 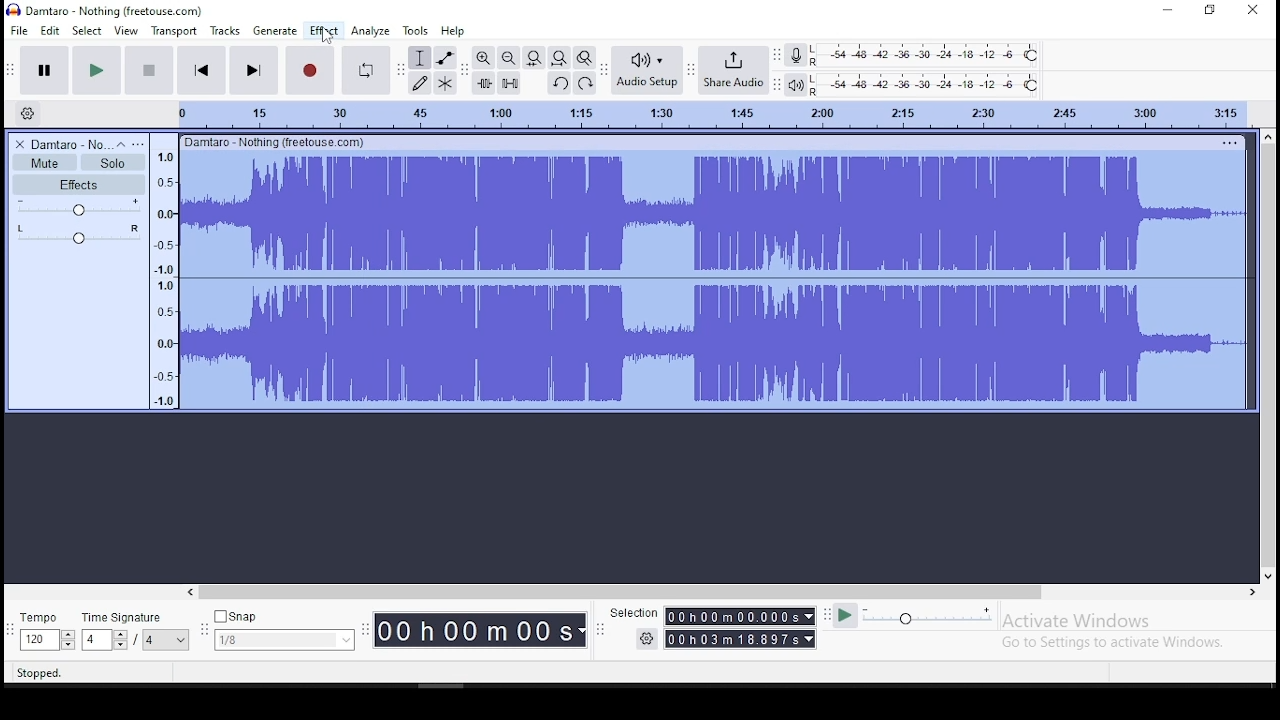 I want to click on draw tool, so click(x=420, y=83).